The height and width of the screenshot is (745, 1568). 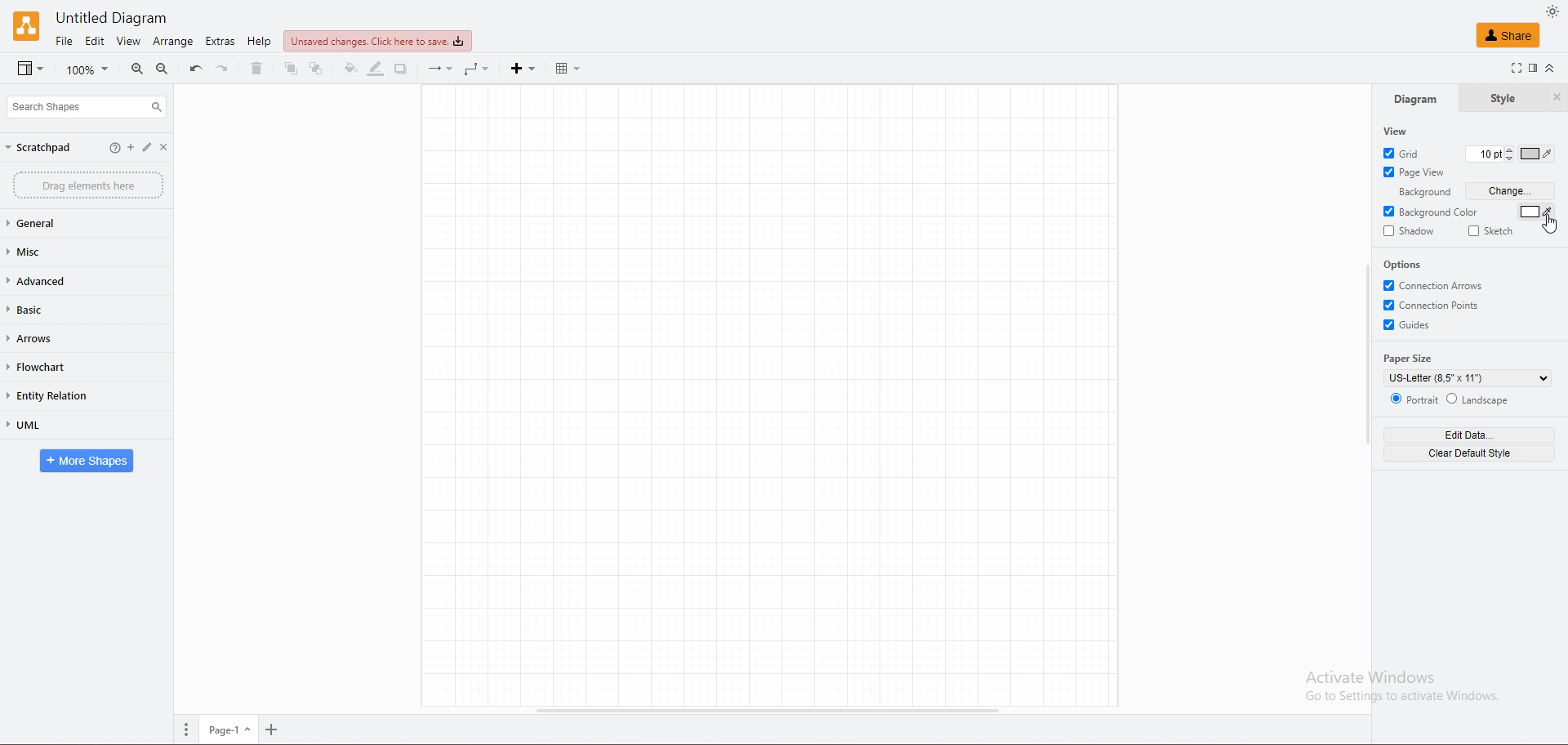 I want to click on guides, so click(x=1410, y=325).